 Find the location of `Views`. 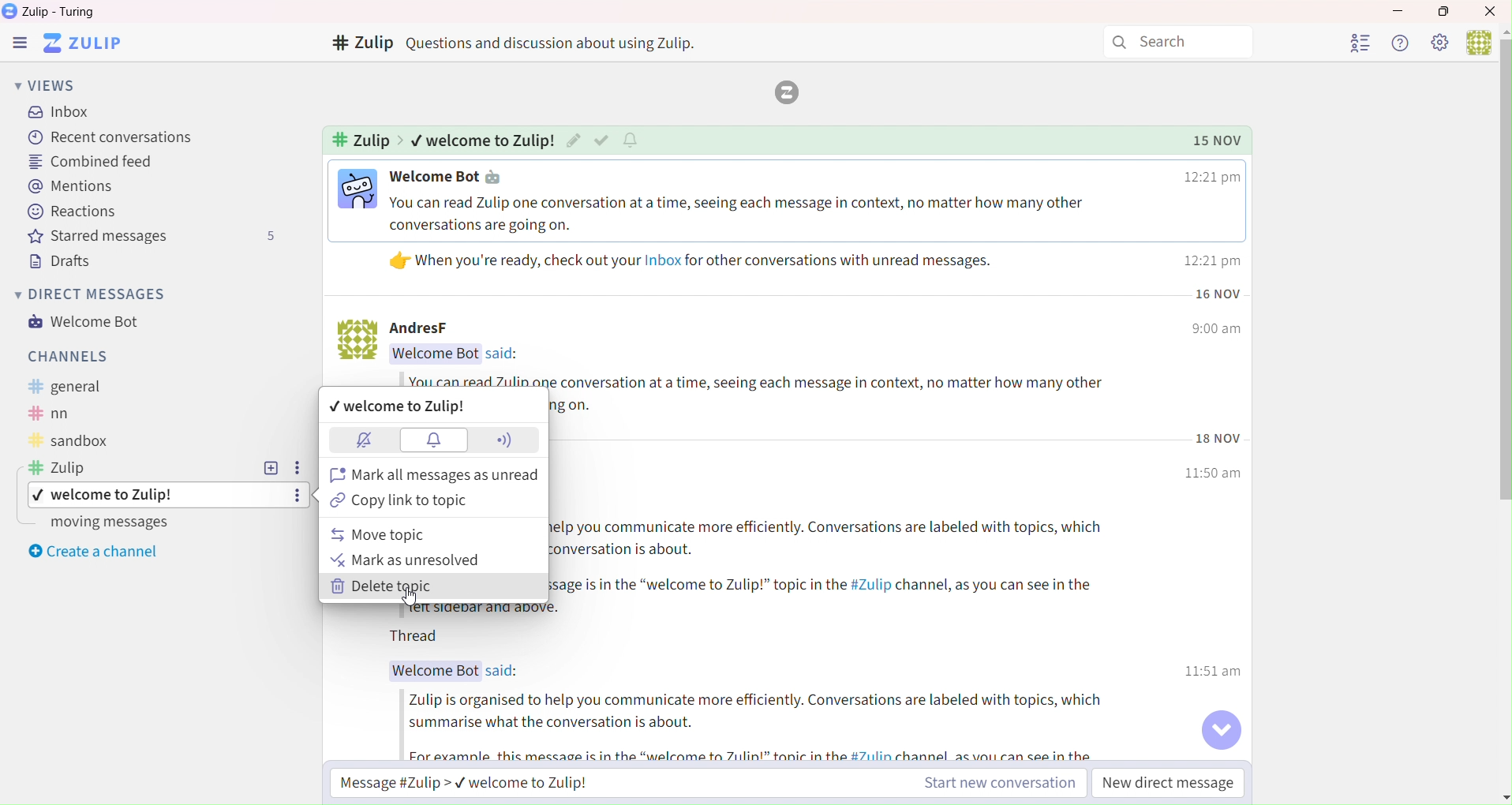

Views is located at coordinates (43, 85).